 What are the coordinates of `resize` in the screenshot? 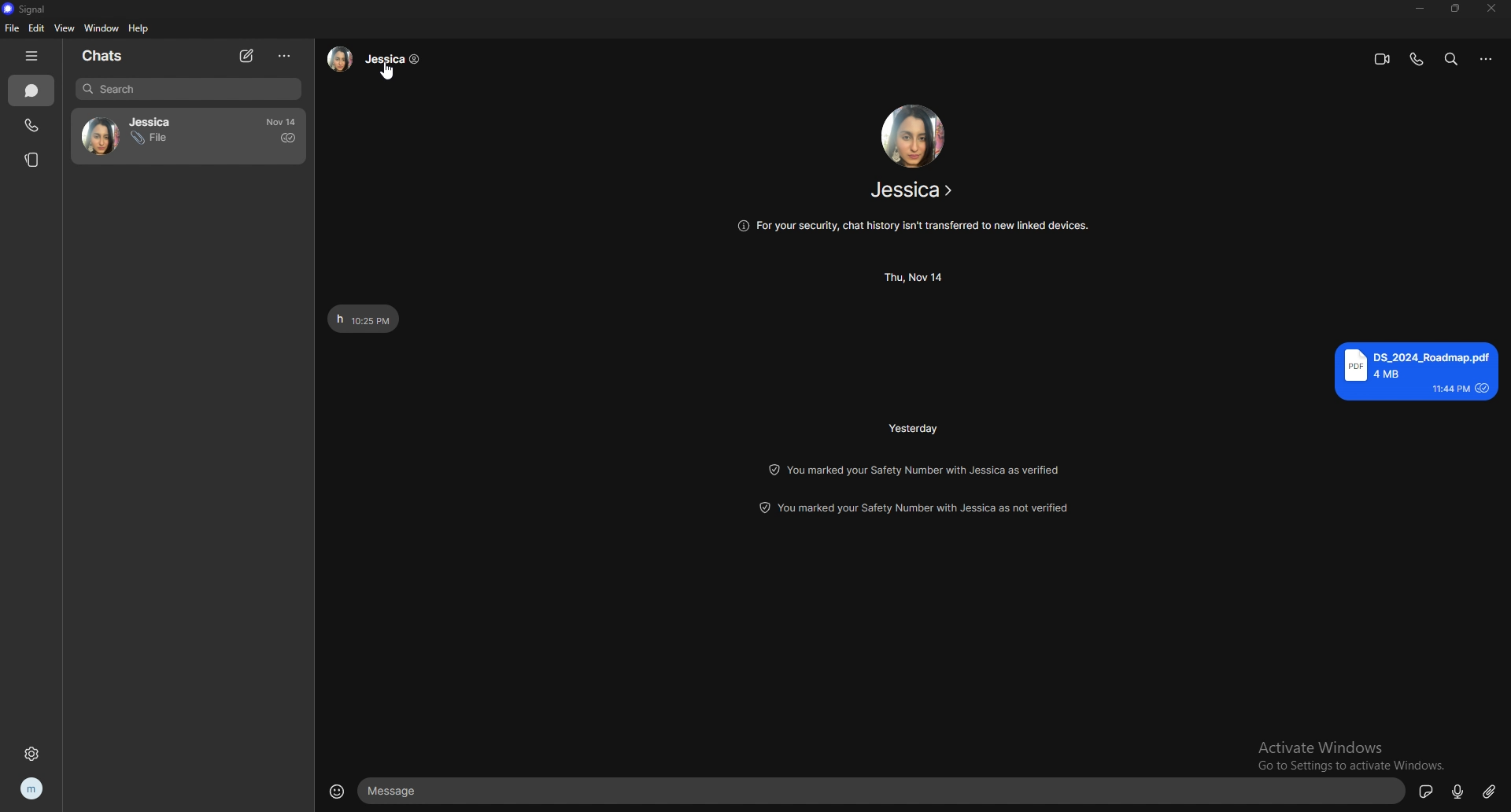 It's located at (1461, 10).